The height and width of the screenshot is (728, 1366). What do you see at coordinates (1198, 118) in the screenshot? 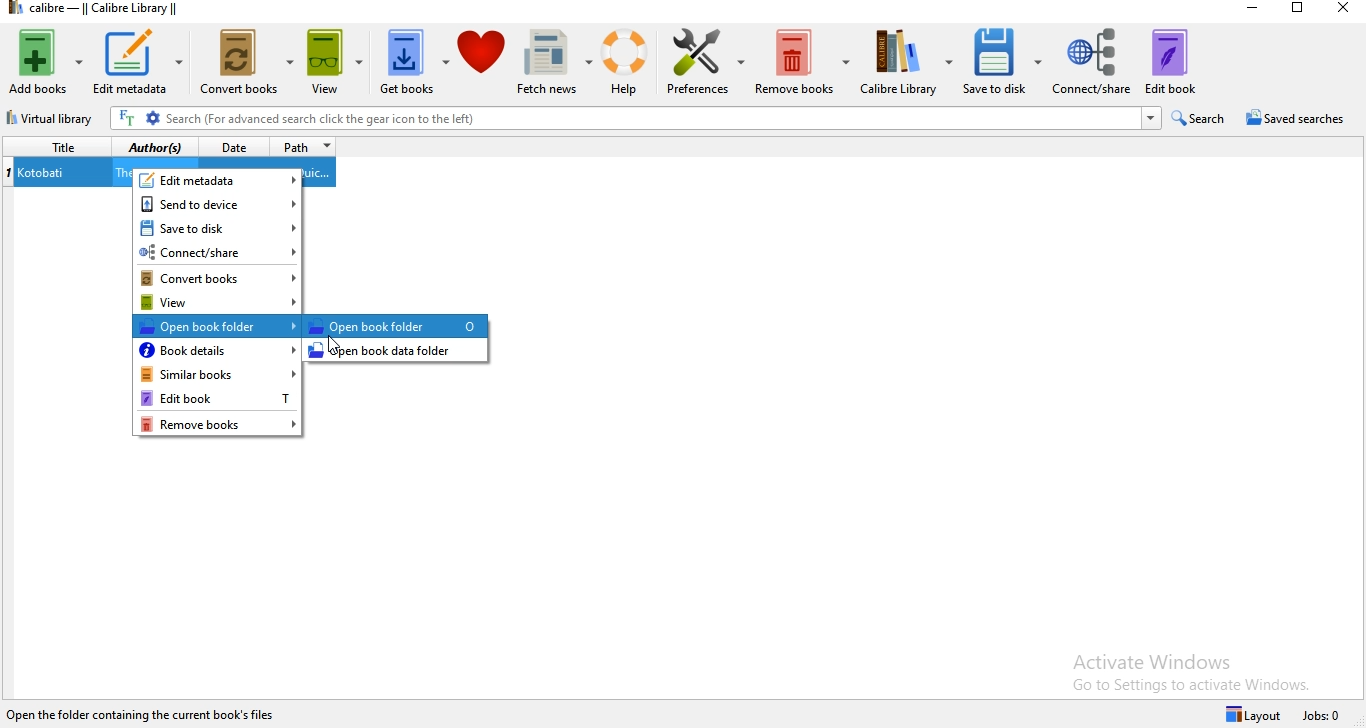
I see `search` at bounding box center [1198, 118].